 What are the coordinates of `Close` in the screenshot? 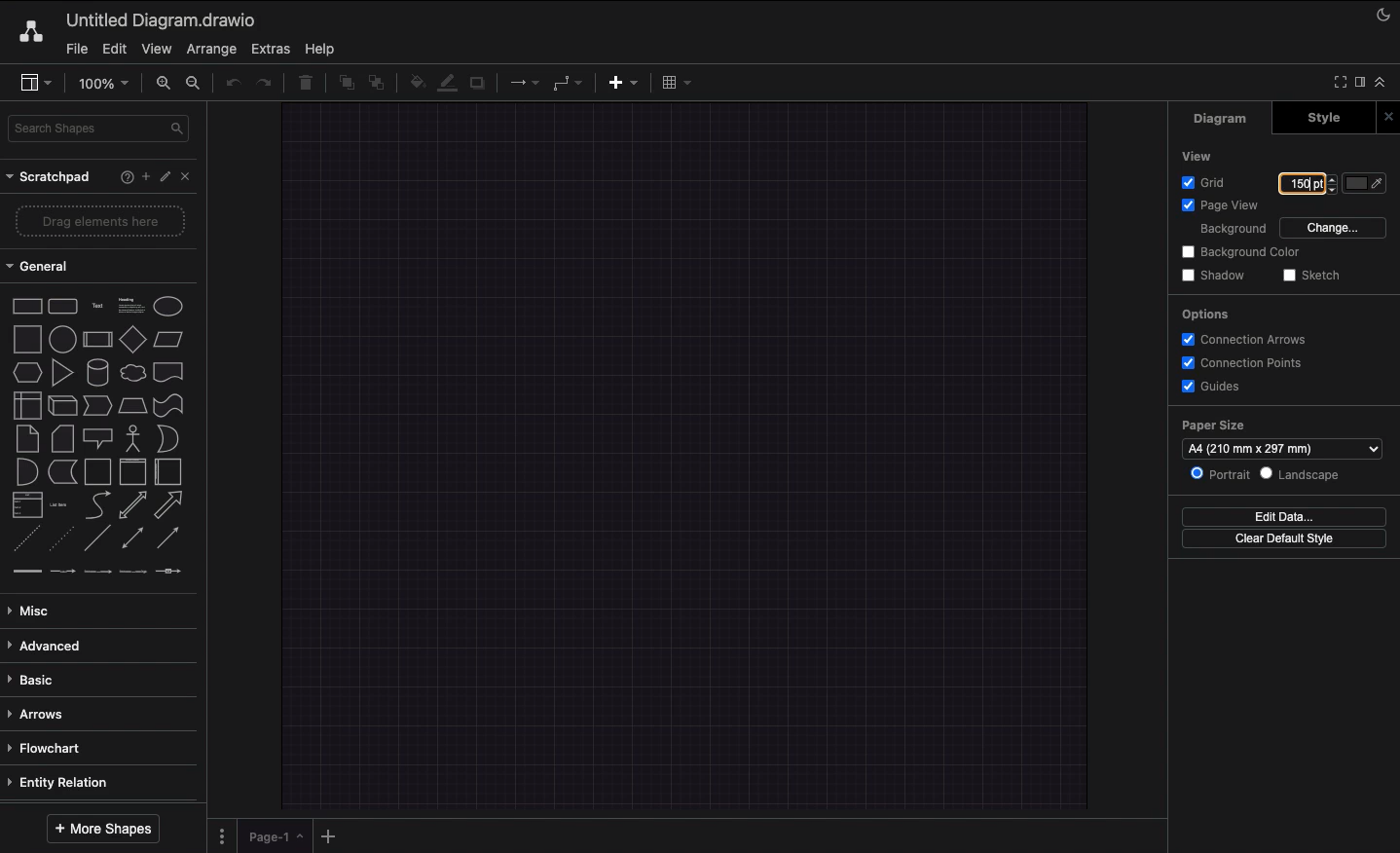 It's located at (1386, 115).